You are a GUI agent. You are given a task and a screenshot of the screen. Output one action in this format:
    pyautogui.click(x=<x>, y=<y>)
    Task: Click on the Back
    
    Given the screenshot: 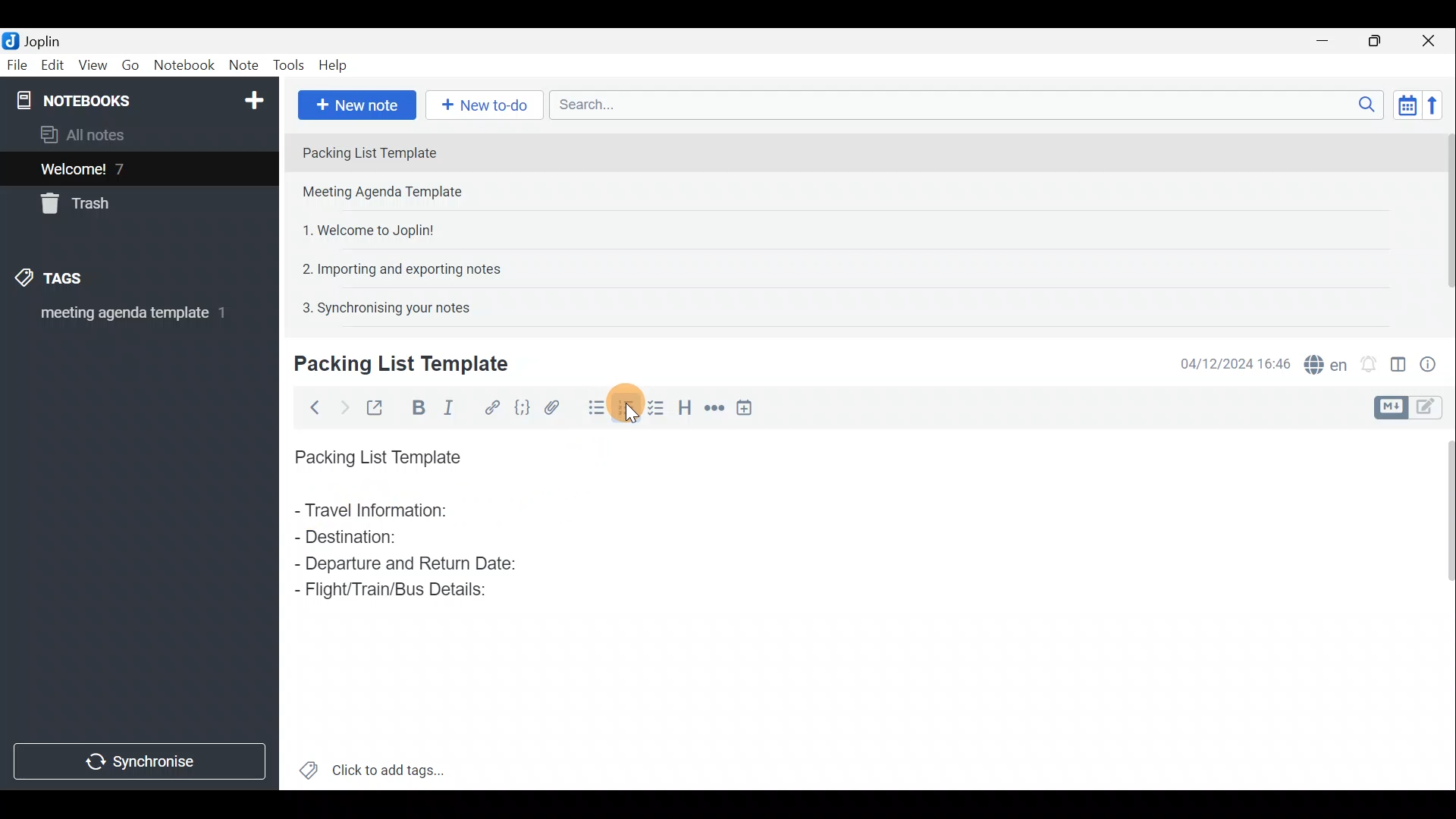 What is the action you would take?
    pyautogui.click(x=312, y=407)
    